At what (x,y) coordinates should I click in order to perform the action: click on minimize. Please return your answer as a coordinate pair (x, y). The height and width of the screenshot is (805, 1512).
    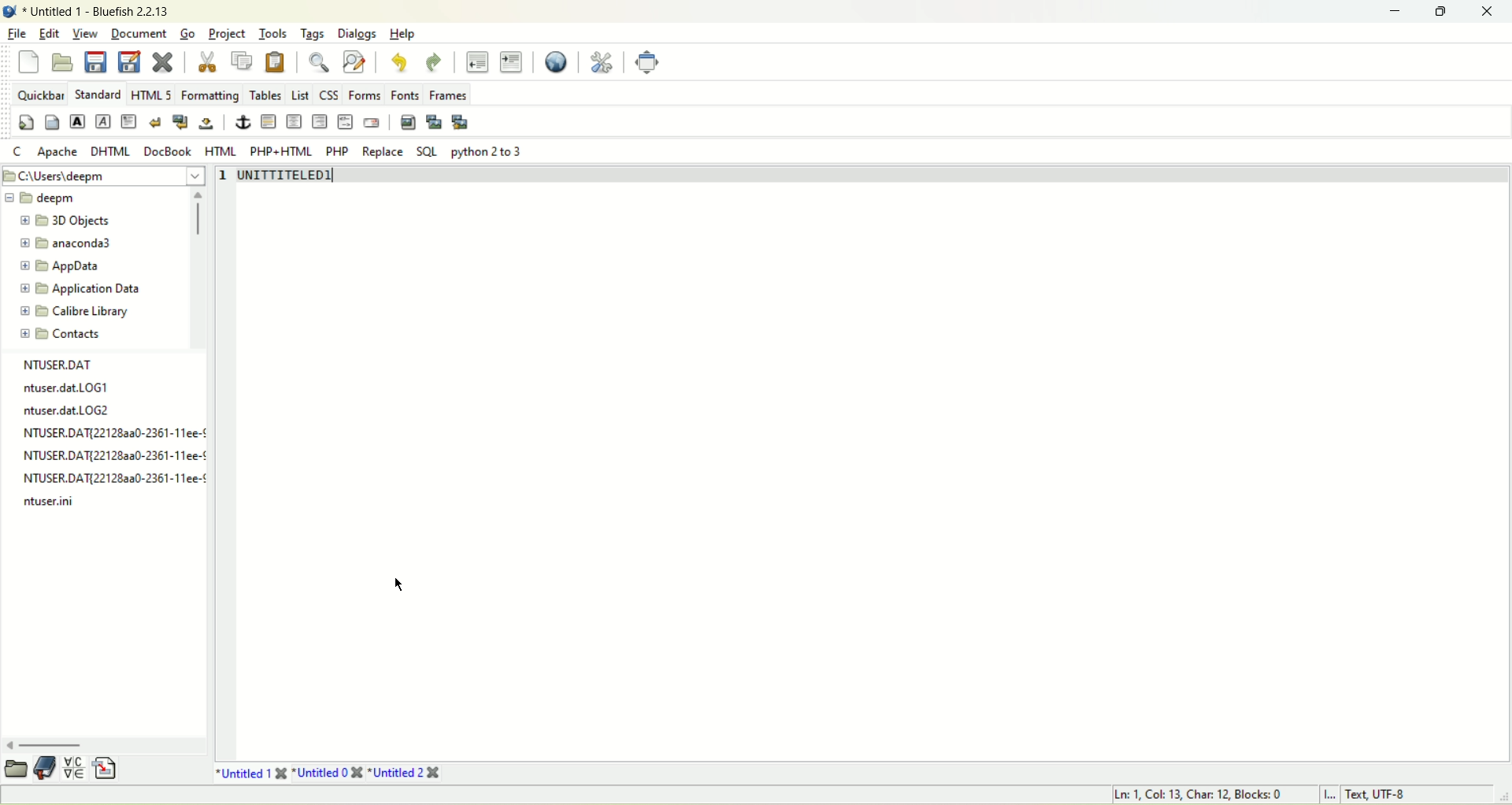
    Looking at the image, I should click on (1397, 9).